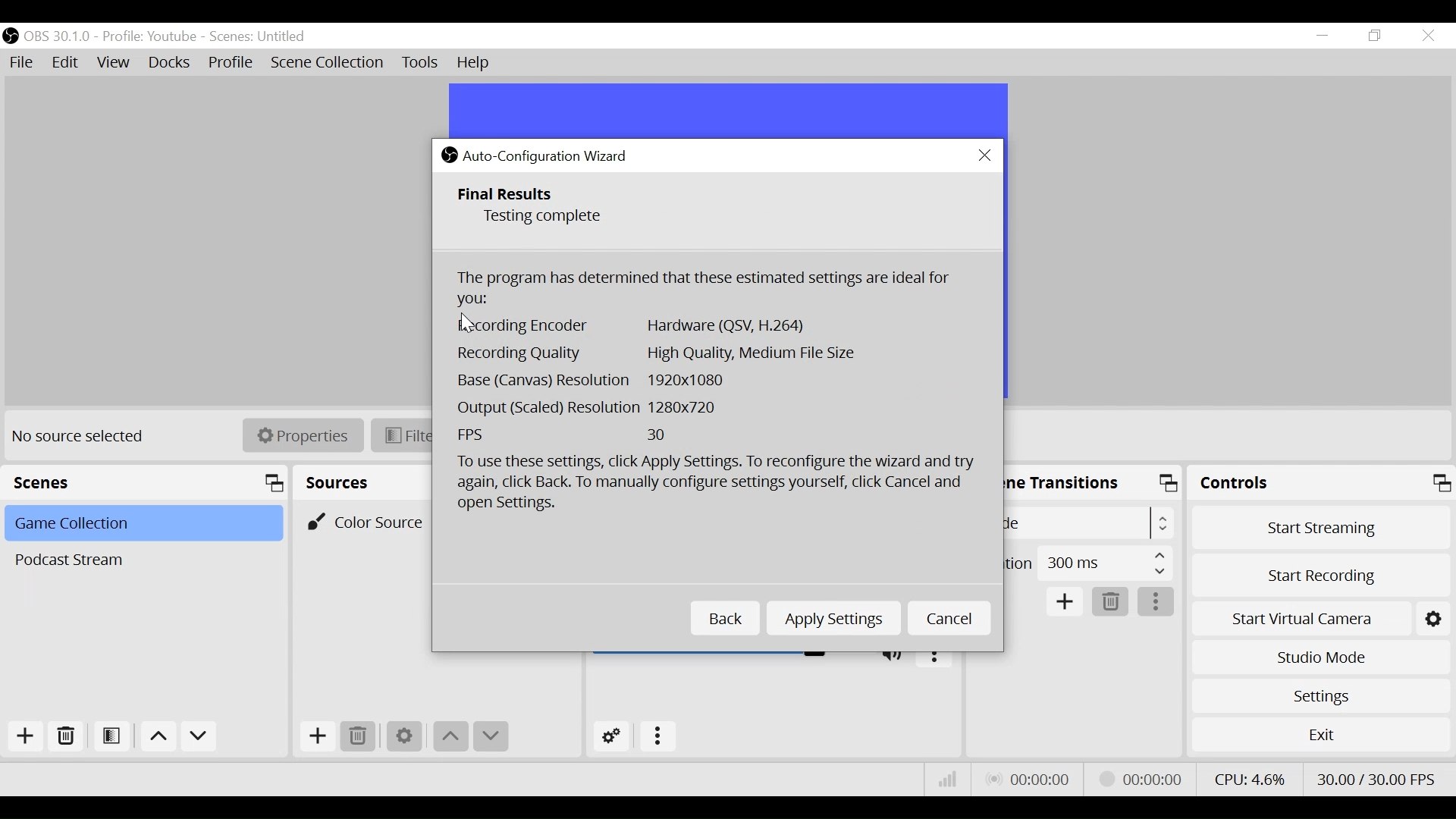 This screenshot has height=819, width=1456. I want to click on Scene, so click(141, 525).